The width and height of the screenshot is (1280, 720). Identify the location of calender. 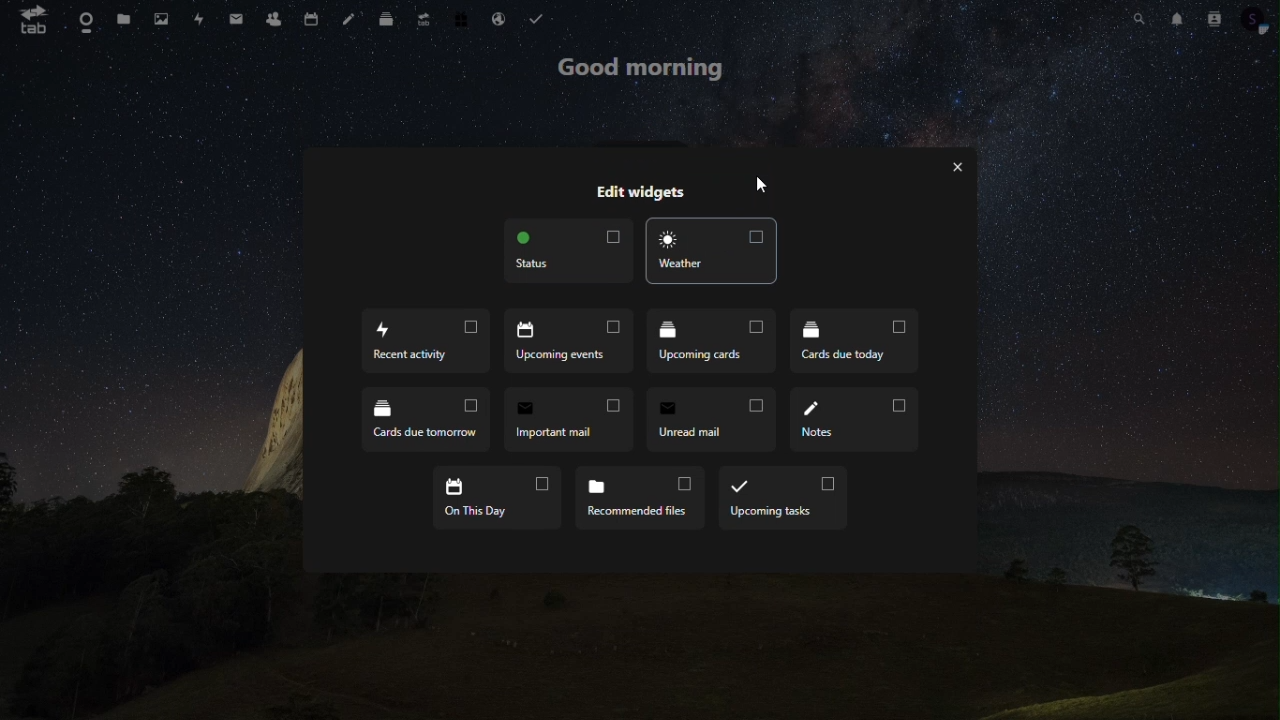
(313, 21).